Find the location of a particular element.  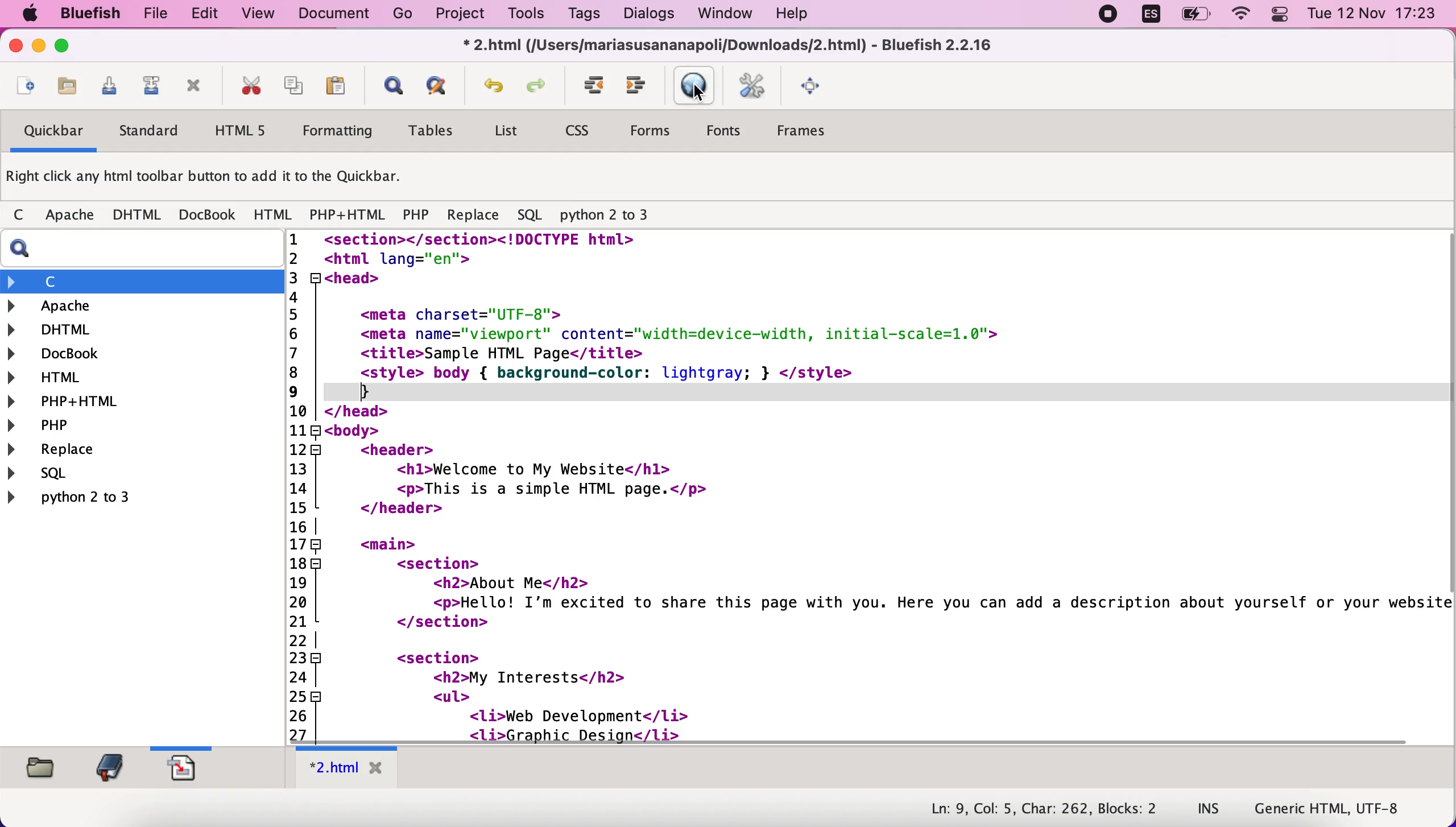

snippets is located at coordinates (181, 767).